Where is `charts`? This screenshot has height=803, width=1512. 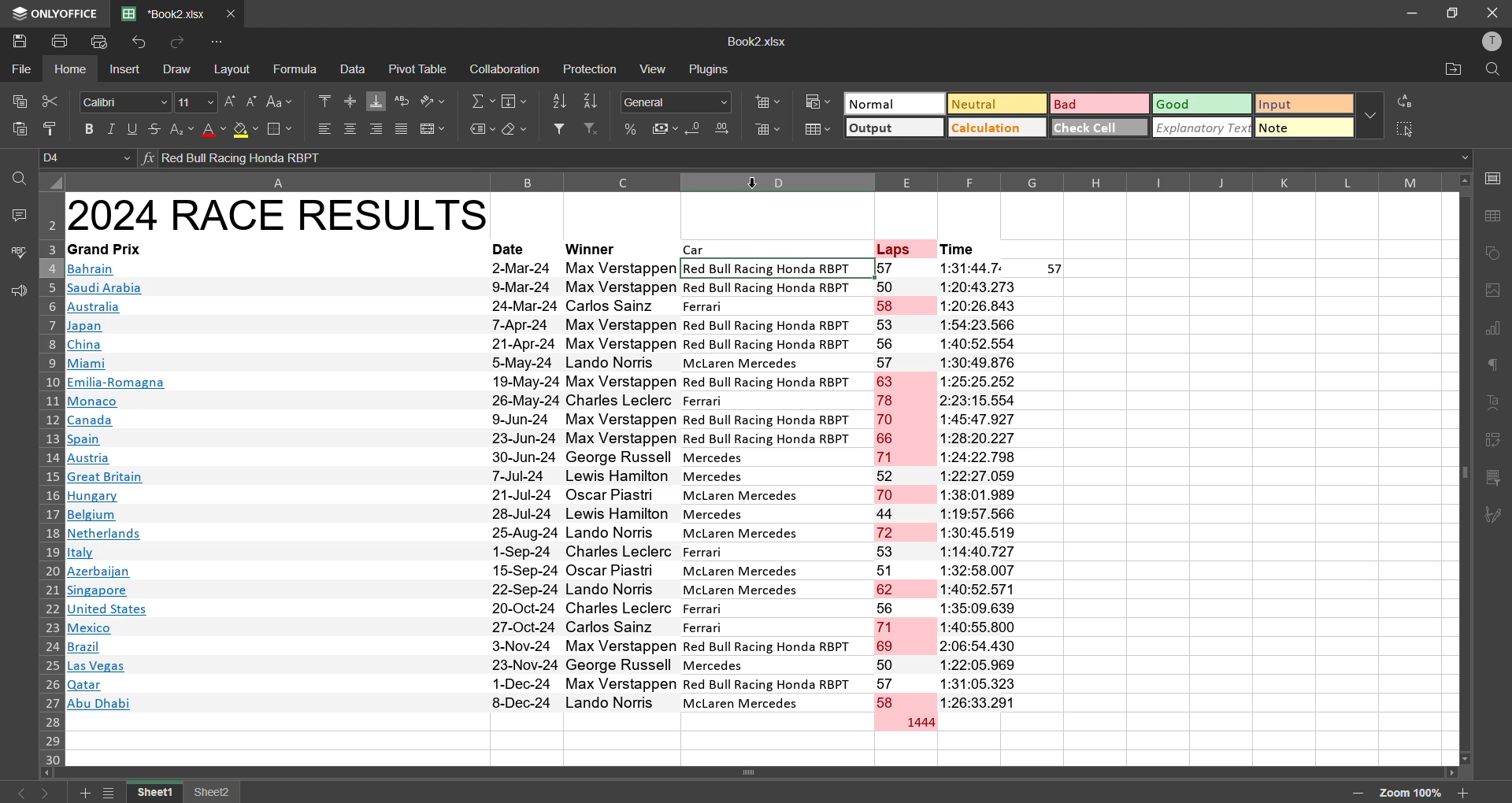
charts is located at coordinates (1494, 330).